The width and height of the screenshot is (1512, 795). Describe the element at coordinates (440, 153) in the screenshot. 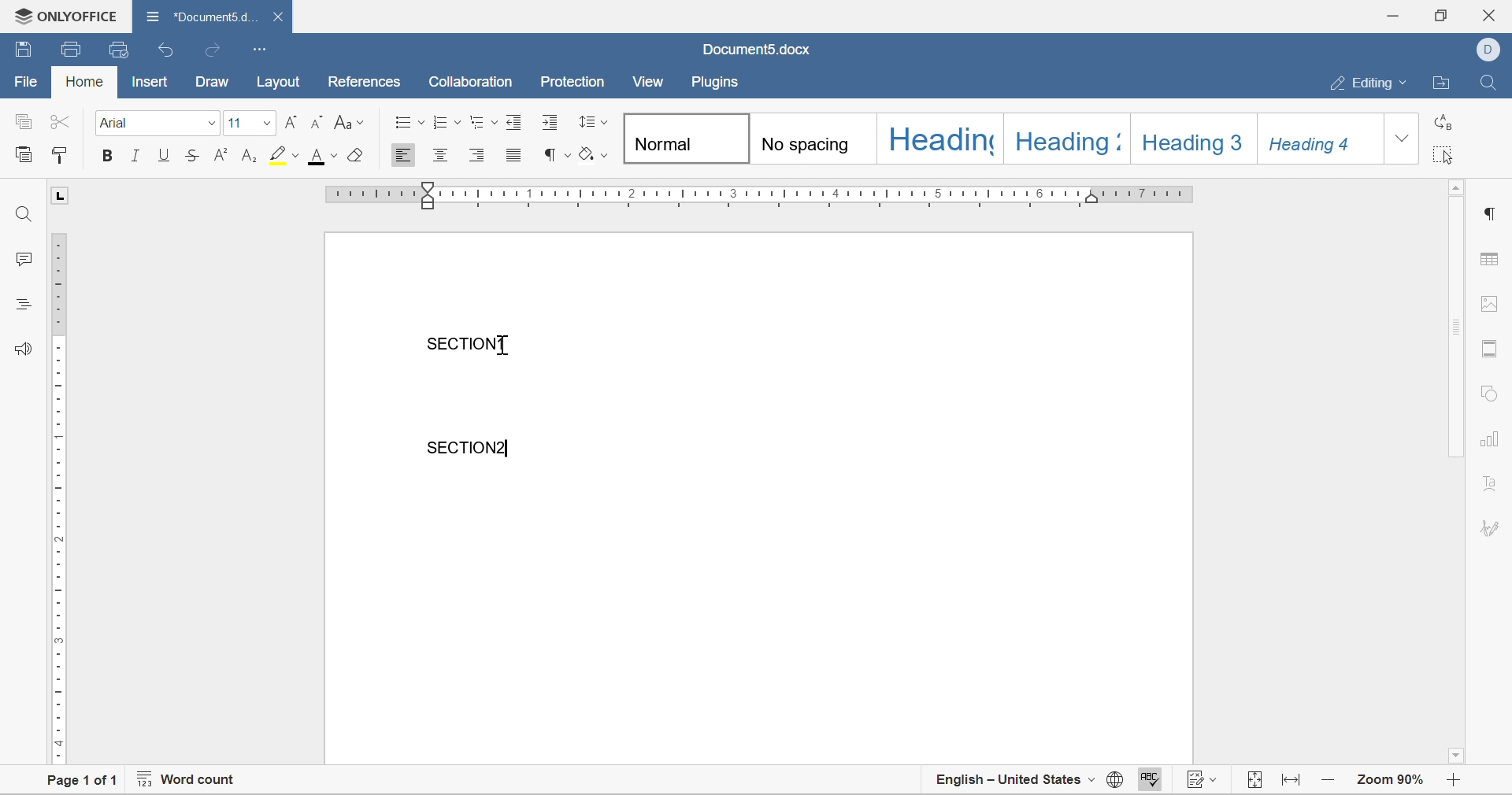

I see `Align center` at that location.